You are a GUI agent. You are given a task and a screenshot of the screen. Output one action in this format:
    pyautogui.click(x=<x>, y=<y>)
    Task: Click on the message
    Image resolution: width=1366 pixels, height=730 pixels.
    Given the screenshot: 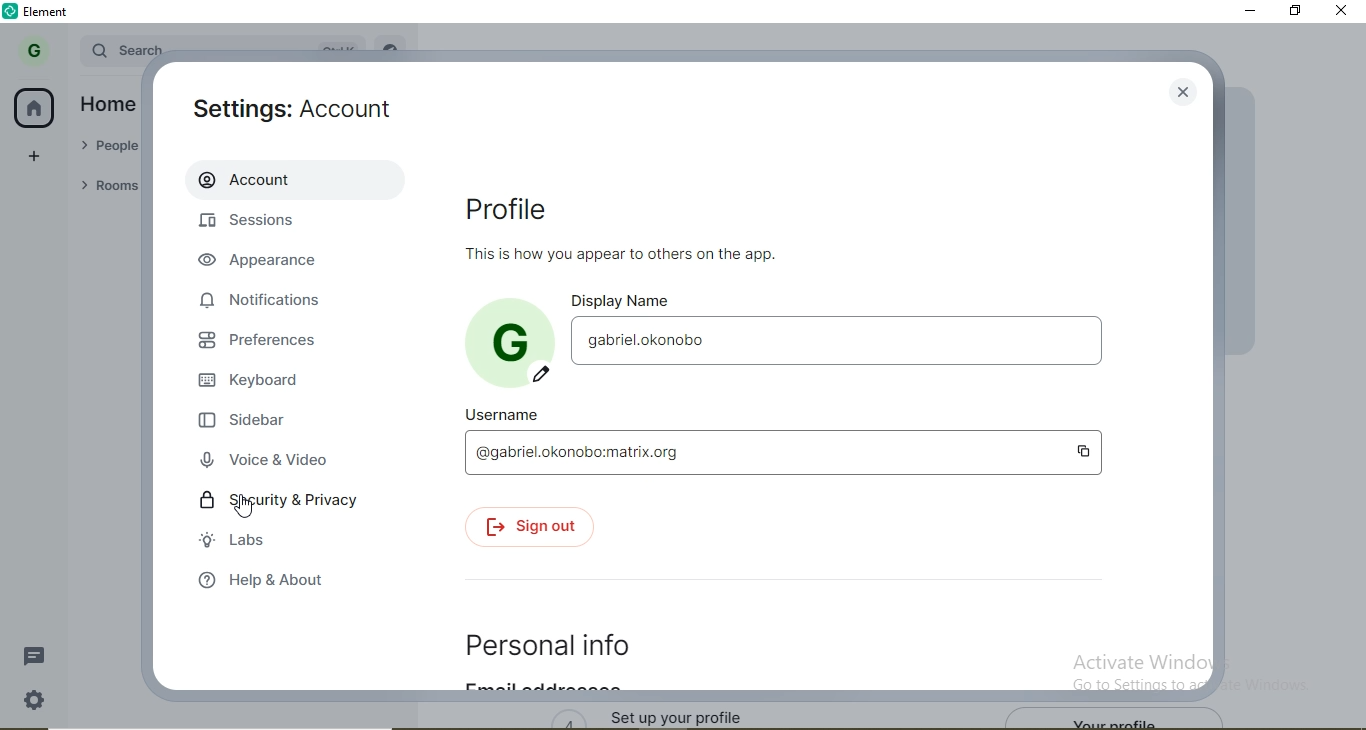 What is the action you would take?
    pyautogui.click(x=37, y=656)
    